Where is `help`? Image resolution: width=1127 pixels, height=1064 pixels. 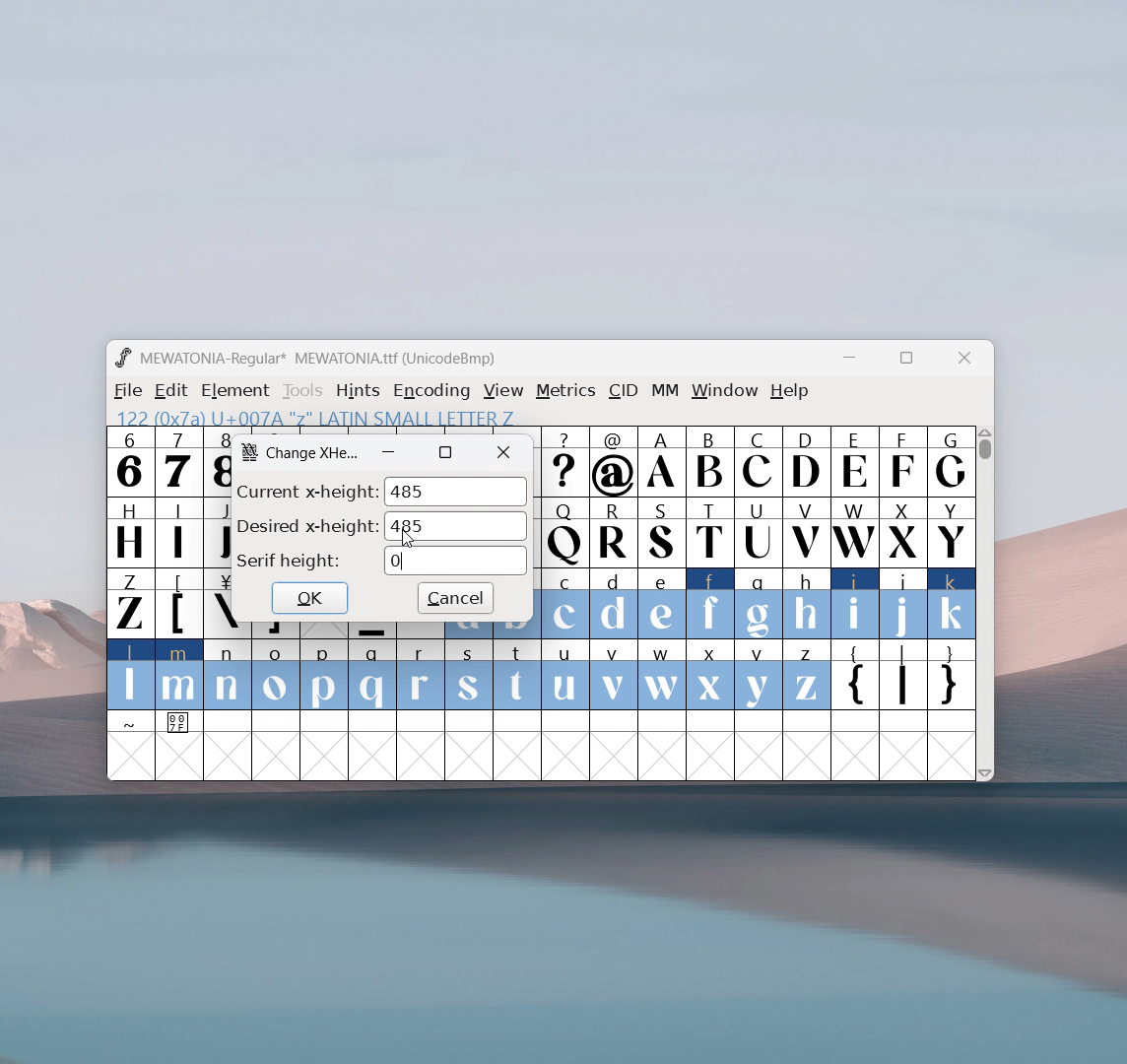
help is located at coordinates (790, 391).